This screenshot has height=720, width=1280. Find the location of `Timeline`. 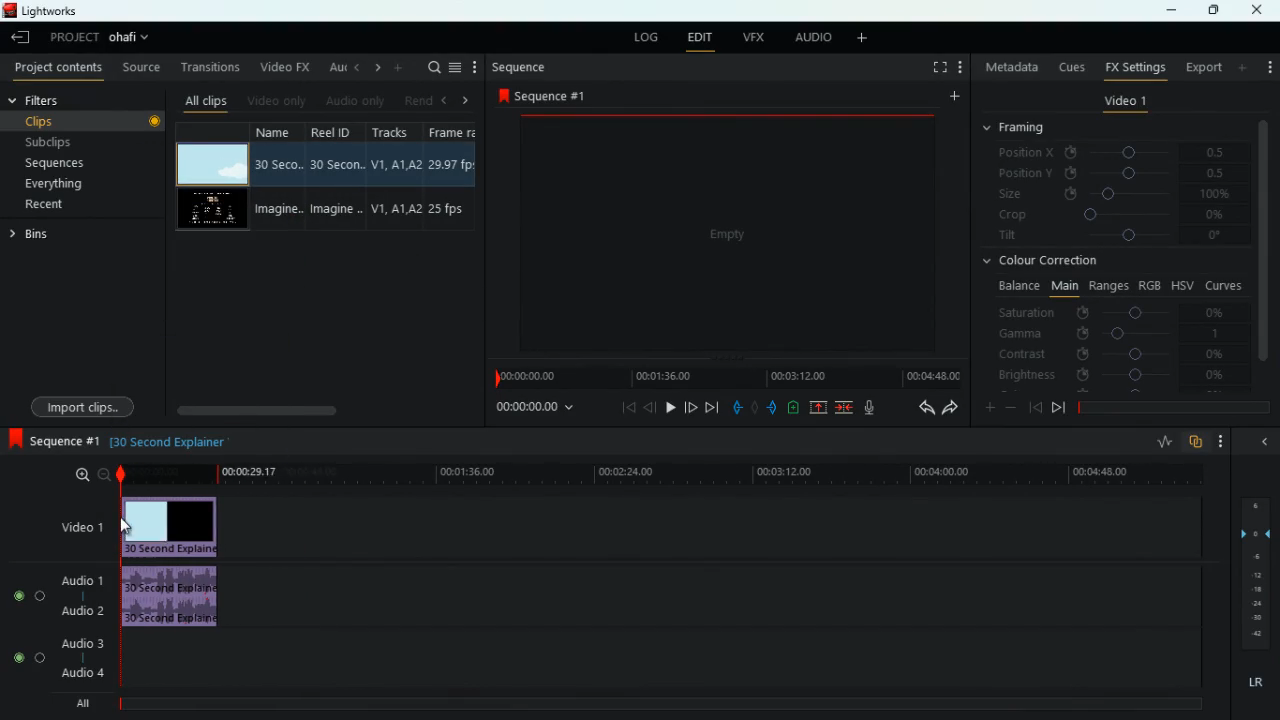

Timeline is located at coordinates (665, 704).